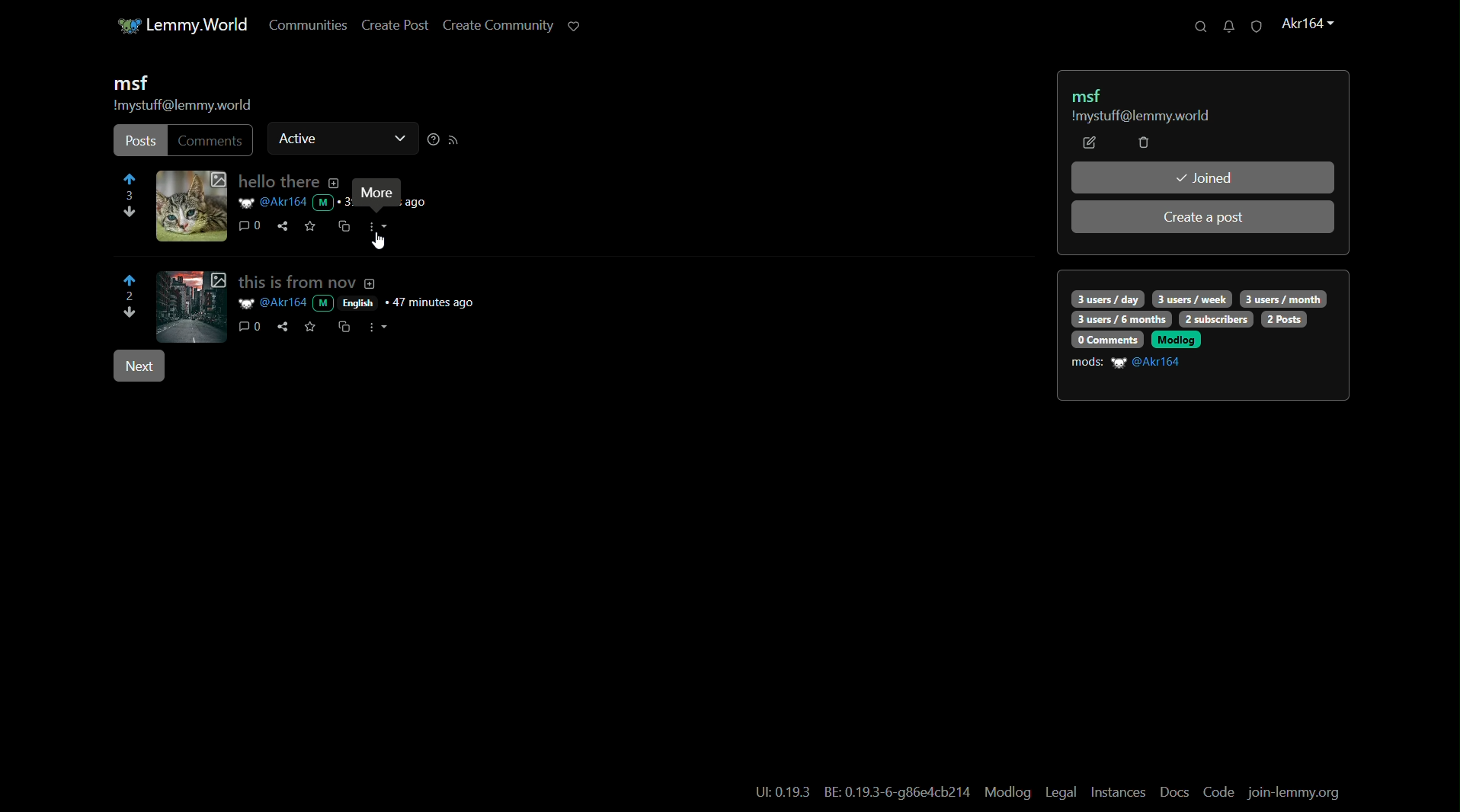  What do you see at coordinates (191, 305) in the screenshot?
I see `image` at bounding box center [191, 305].